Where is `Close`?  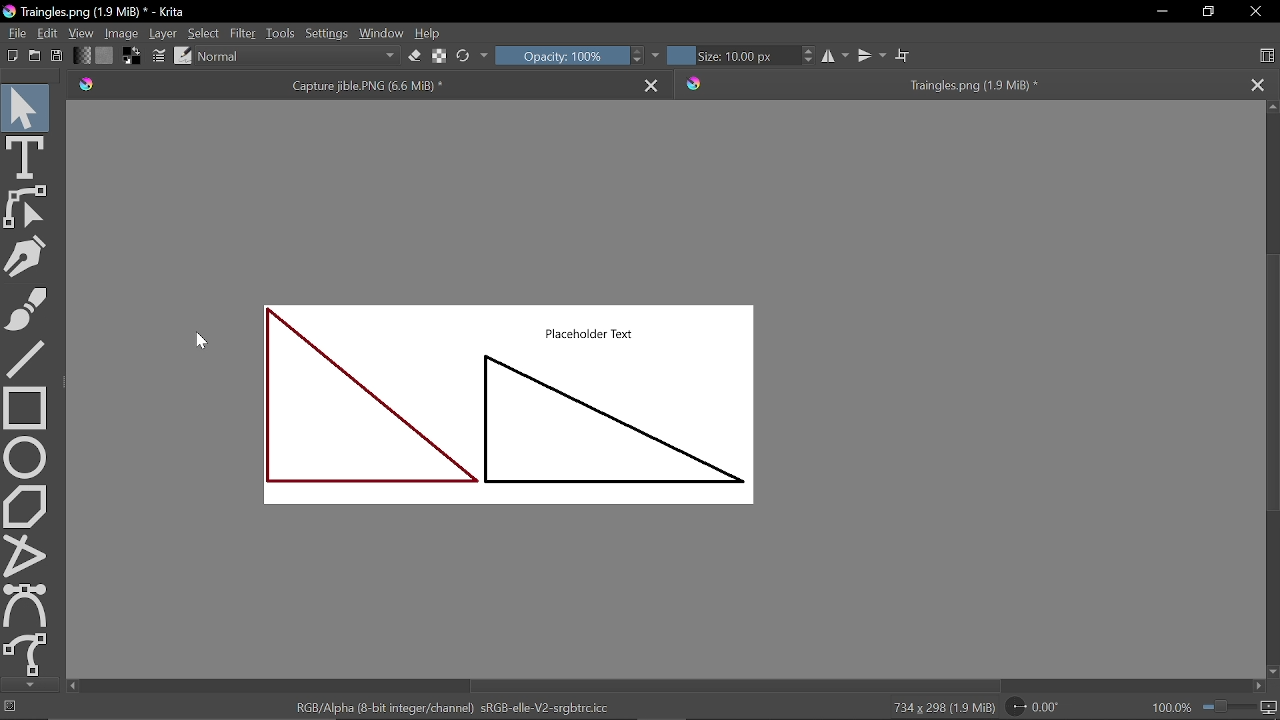
Close is located at coordinates (1255, 13).